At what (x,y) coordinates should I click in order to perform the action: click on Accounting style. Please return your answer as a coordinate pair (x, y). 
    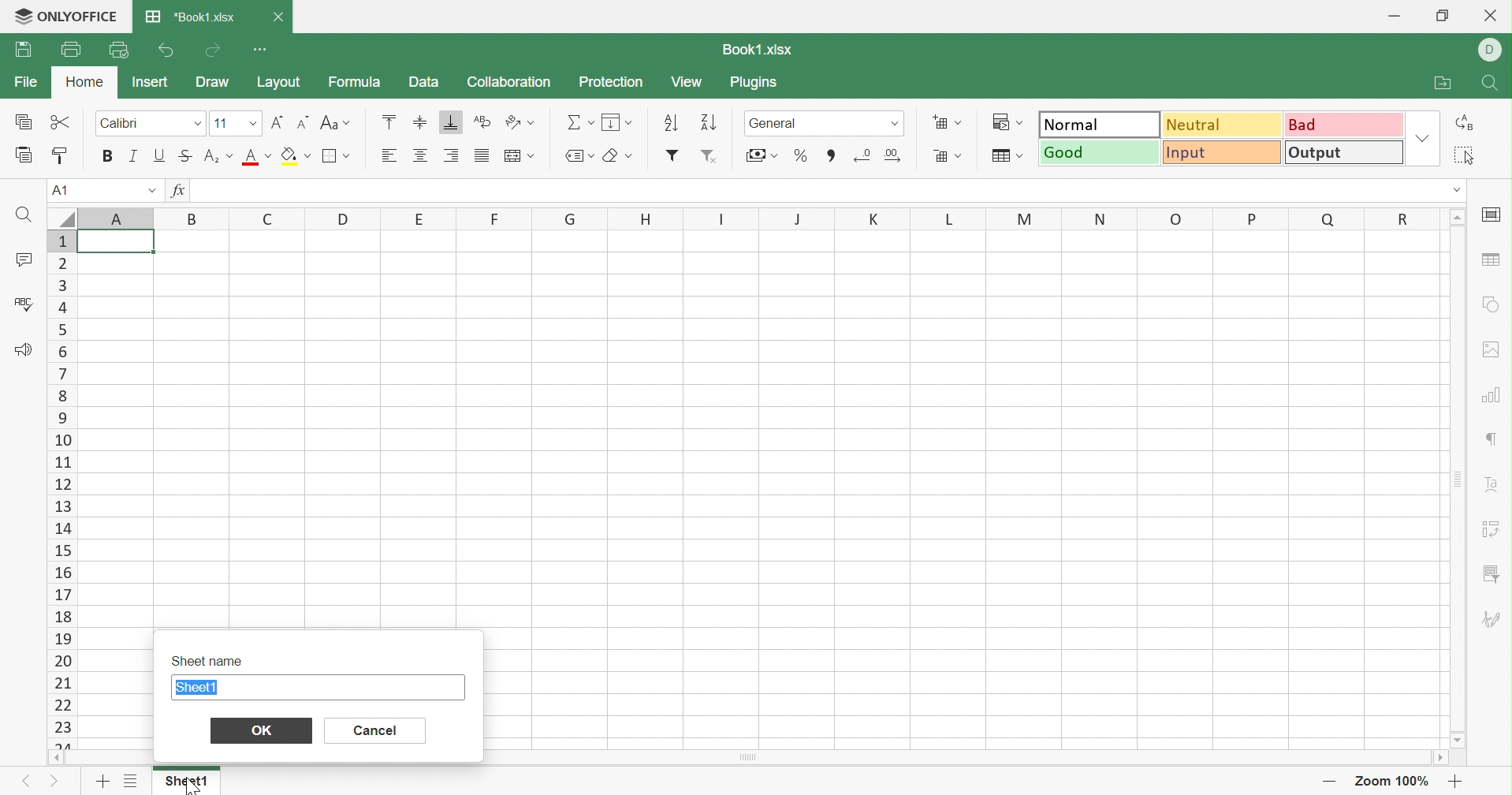
    Looking at the image, I should click on (760, 155).